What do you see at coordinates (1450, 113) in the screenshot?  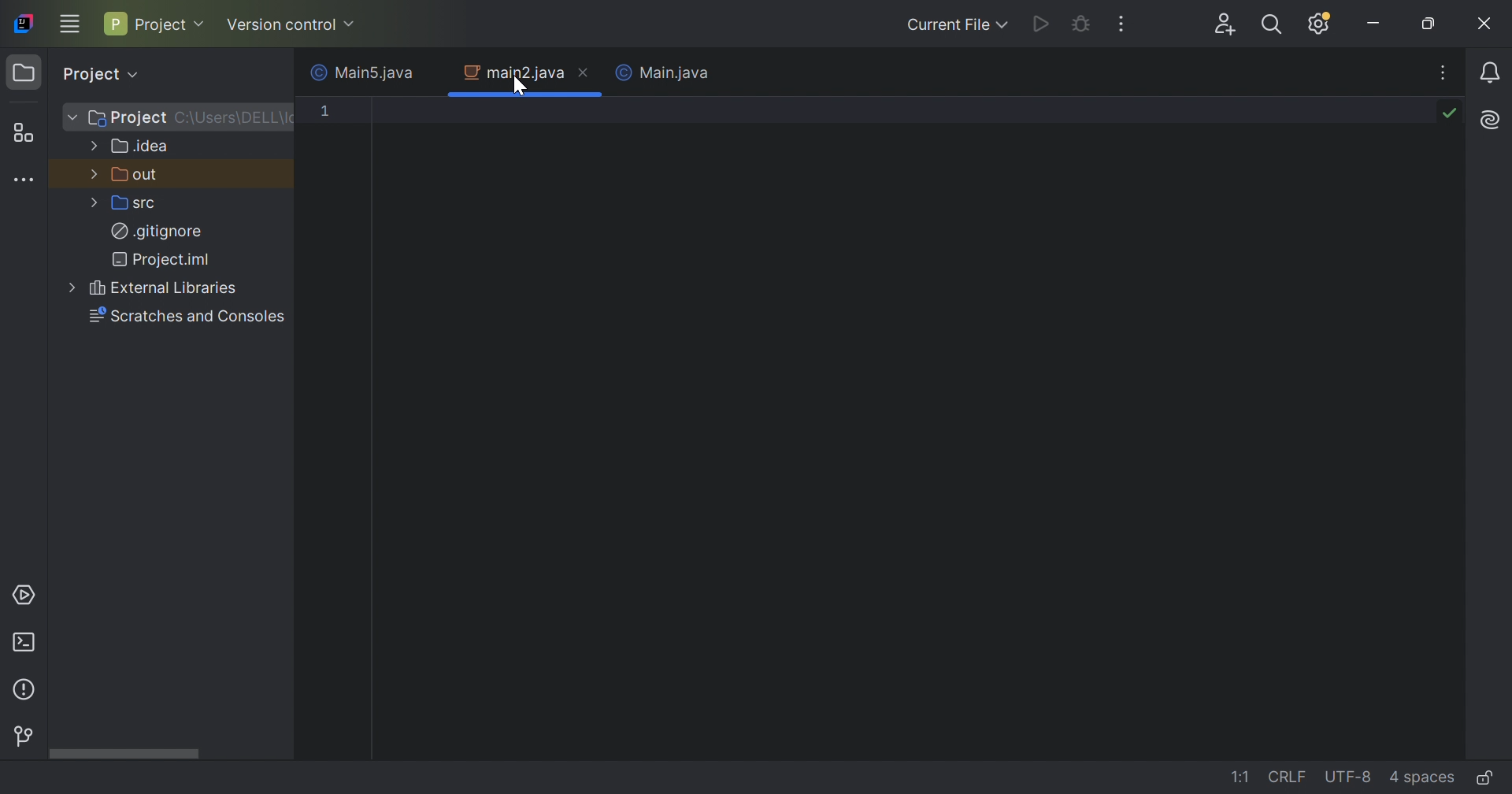 I see `No problems found` at bounding box center [1450, 113].